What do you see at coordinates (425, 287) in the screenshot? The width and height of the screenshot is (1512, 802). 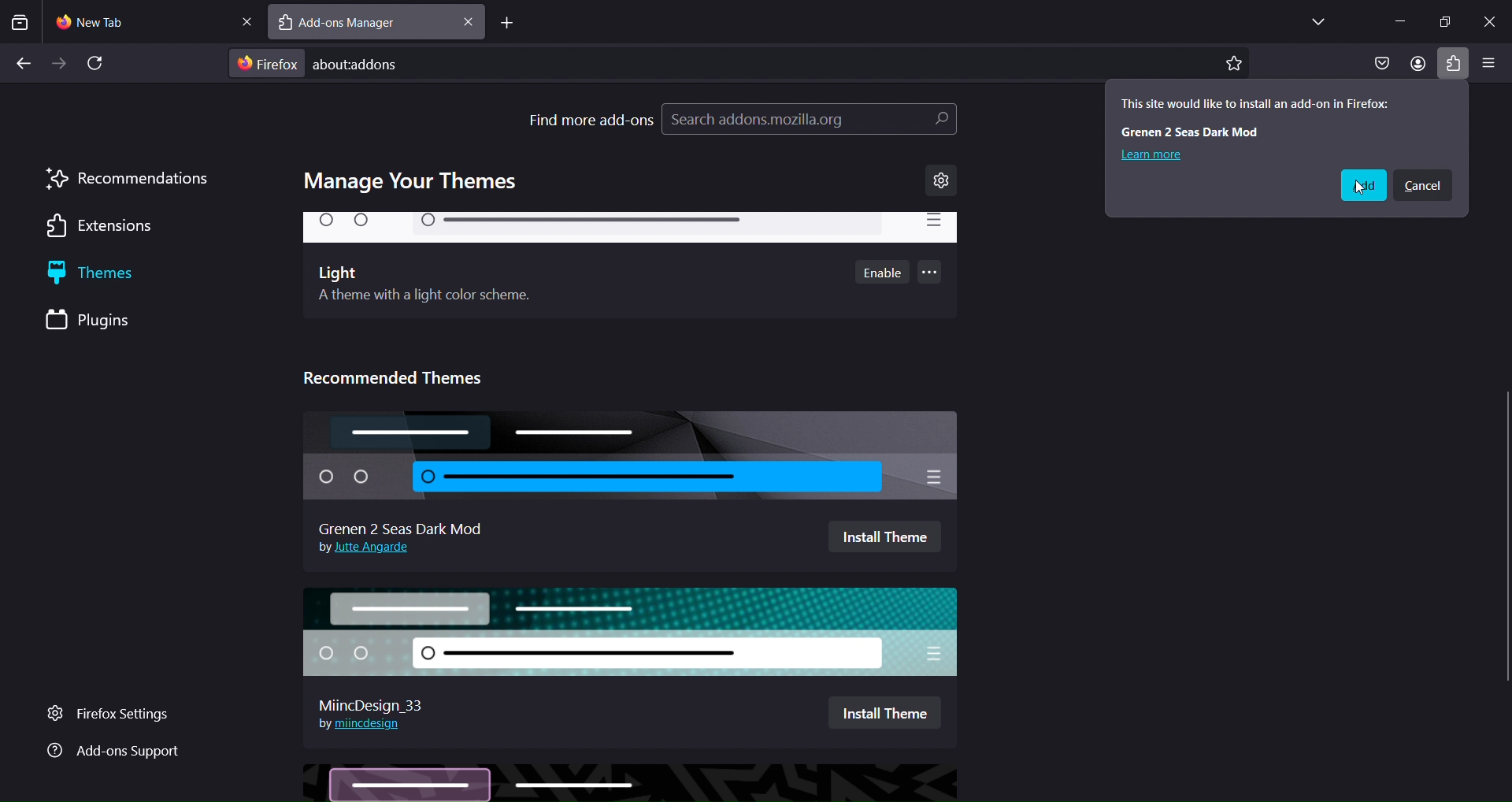 I see `Light A theme with a light color scheme.` at bounding box center [425, 287].